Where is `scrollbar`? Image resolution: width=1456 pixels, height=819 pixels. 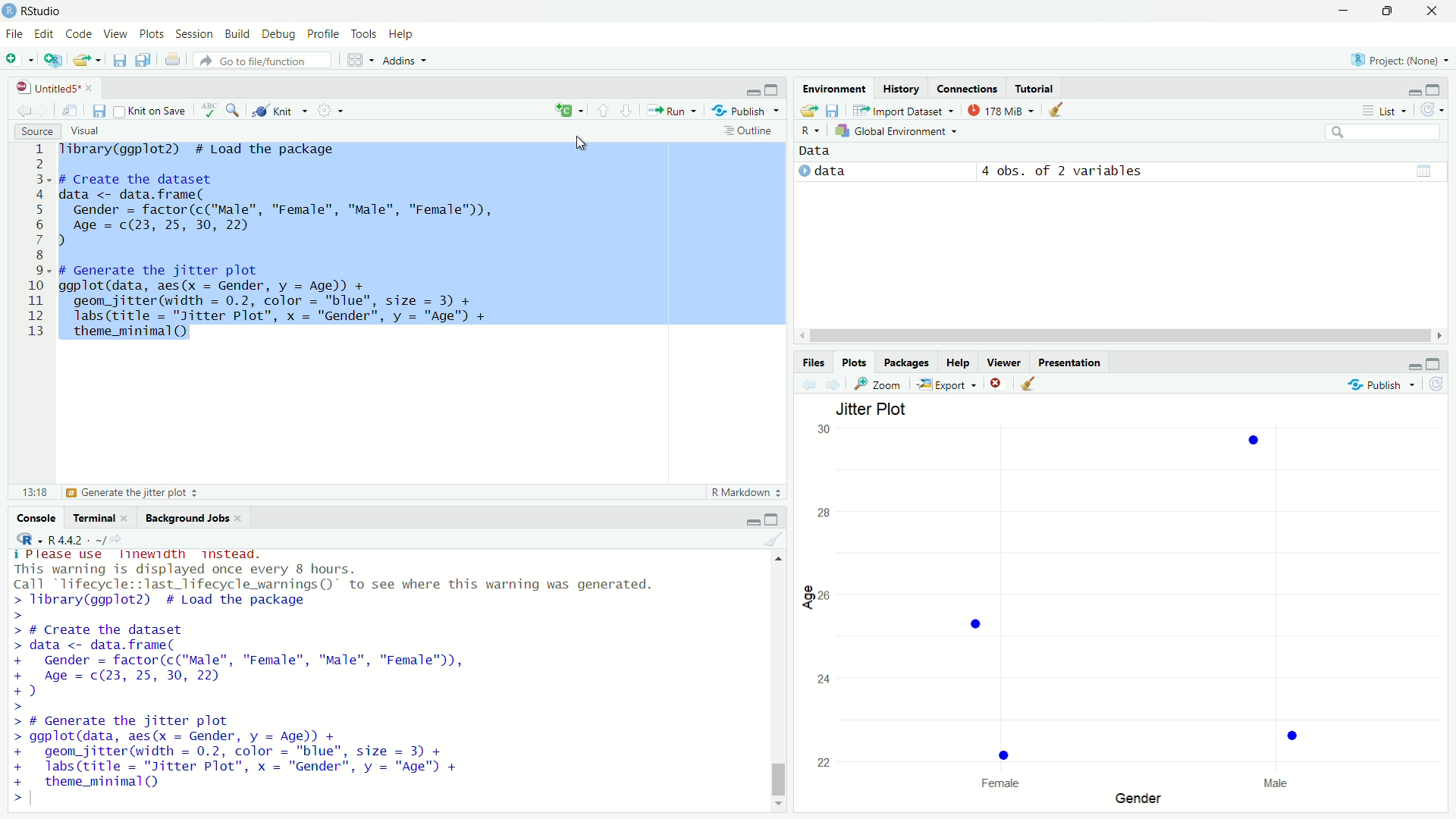 scrollbar is located at coordinates (1122, 337).